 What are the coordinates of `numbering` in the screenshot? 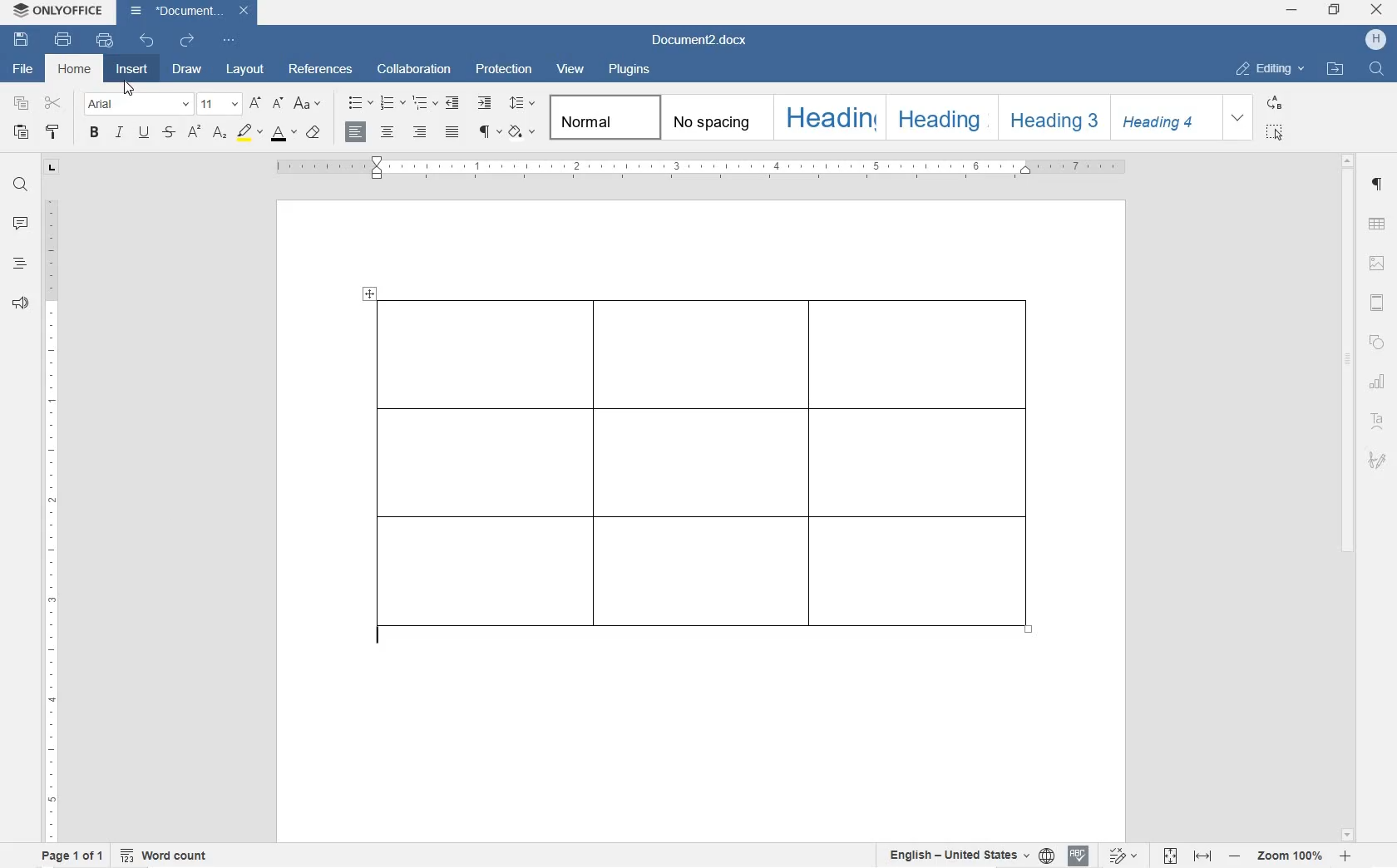 It's located at (392, 101).